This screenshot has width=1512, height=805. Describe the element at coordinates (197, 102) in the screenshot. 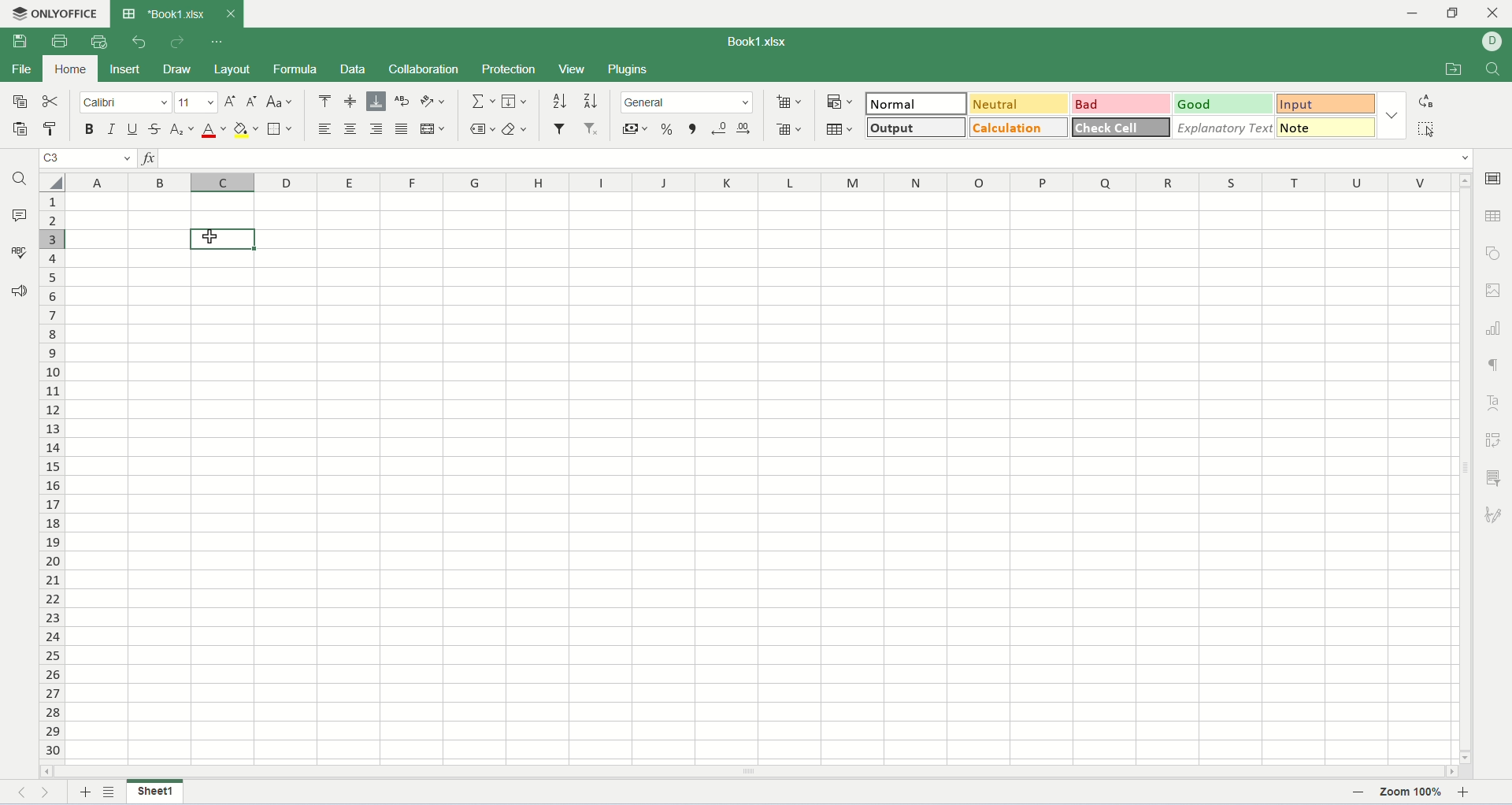

I see `font size` at that location.